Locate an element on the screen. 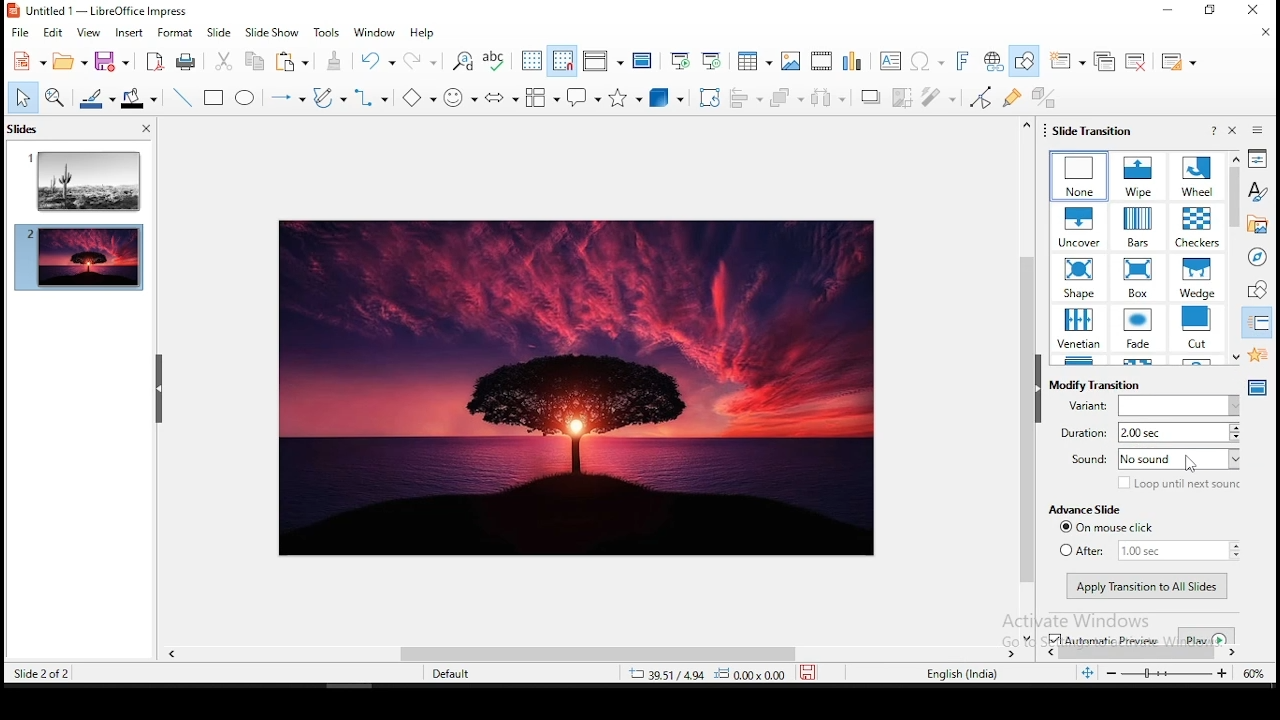  close is located at coordinates (146, 128).